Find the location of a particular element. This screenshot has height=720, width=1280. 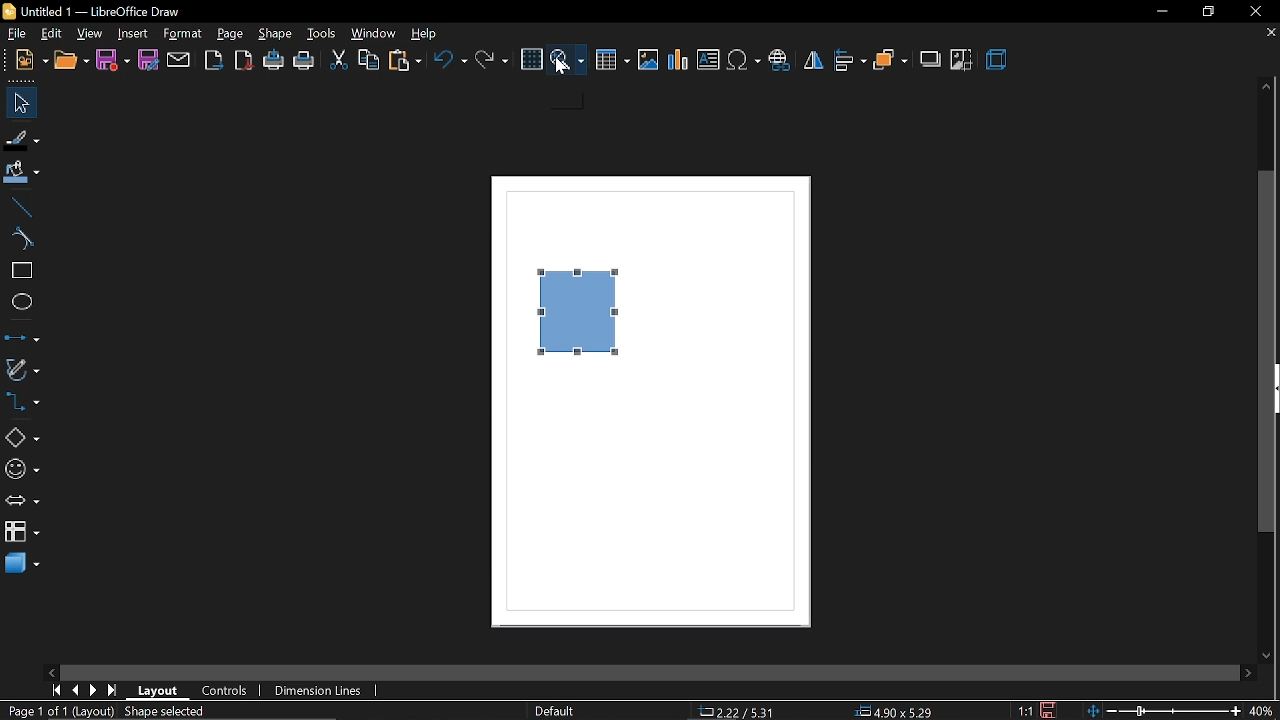

scaling factor is located at coordinates (1027, 709).